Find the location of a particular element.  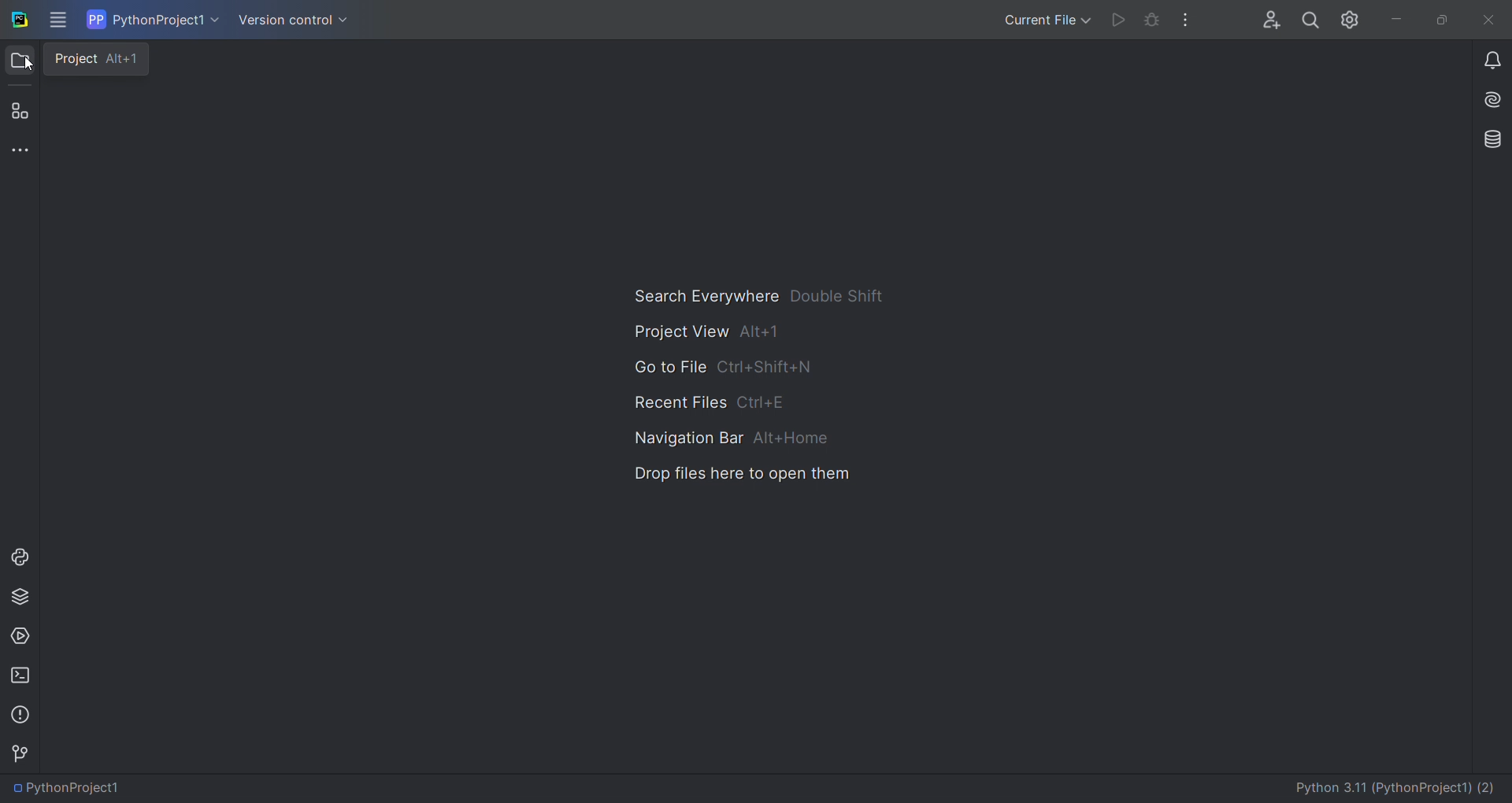

collab is located at coordinates (1268, 18).